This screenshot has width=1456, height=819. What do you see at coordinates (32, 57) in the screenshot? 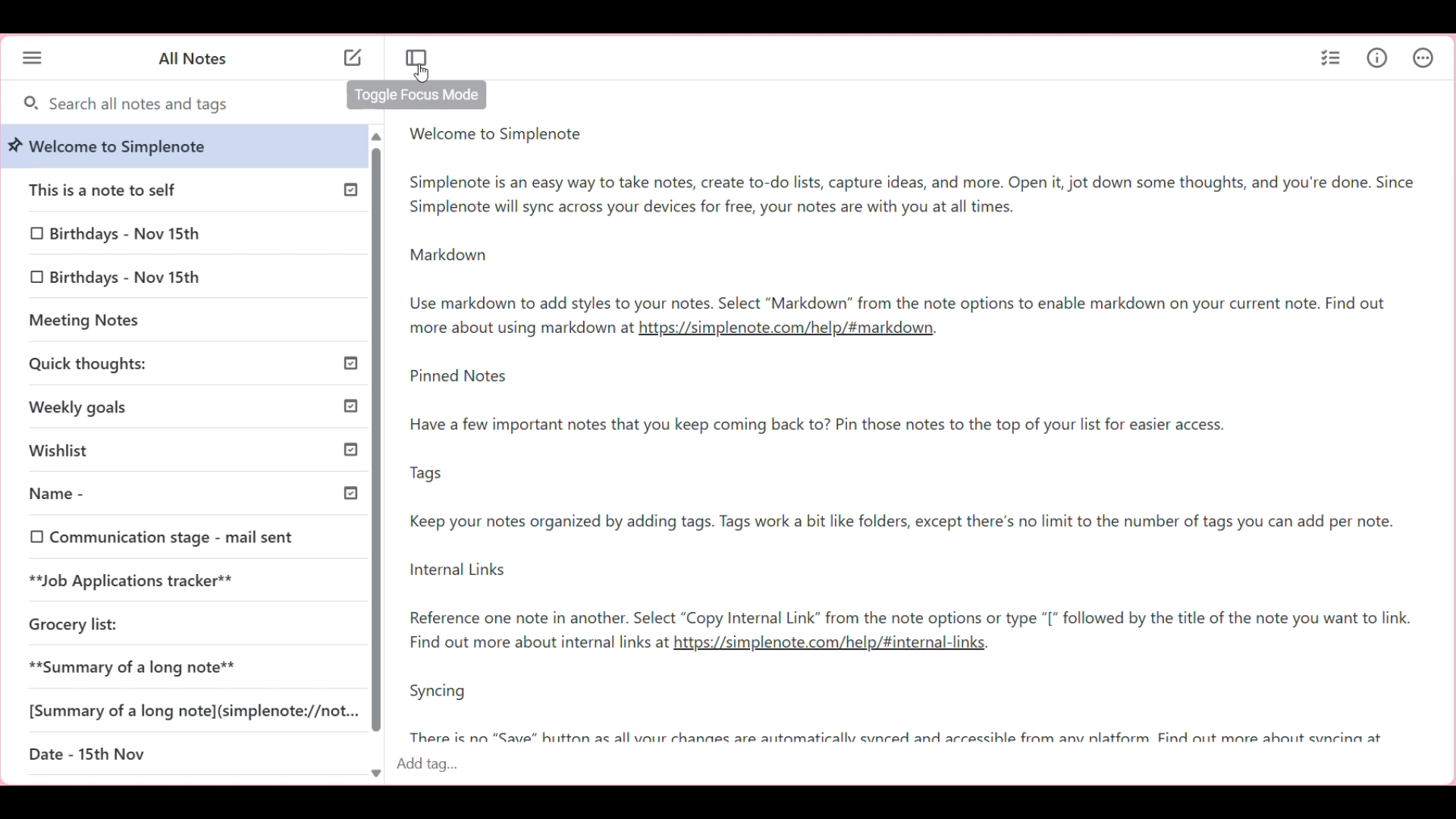
I see `Menu` at bounding box center [32, 57].